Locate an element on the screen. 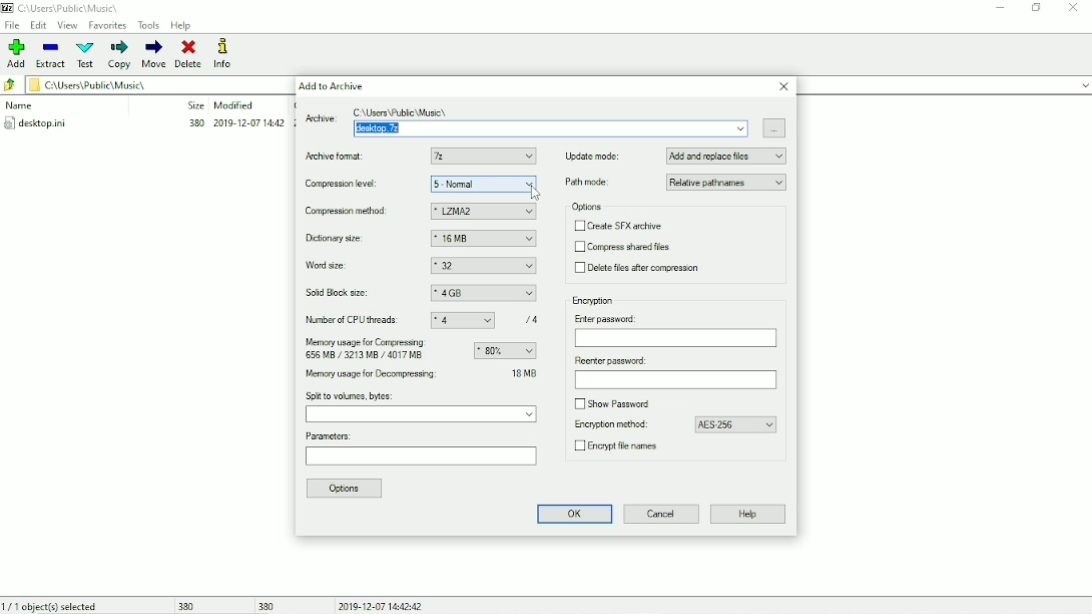 The image size is (1092, 614). 1/1 object(s) selected is located at coordinates (53, 605).